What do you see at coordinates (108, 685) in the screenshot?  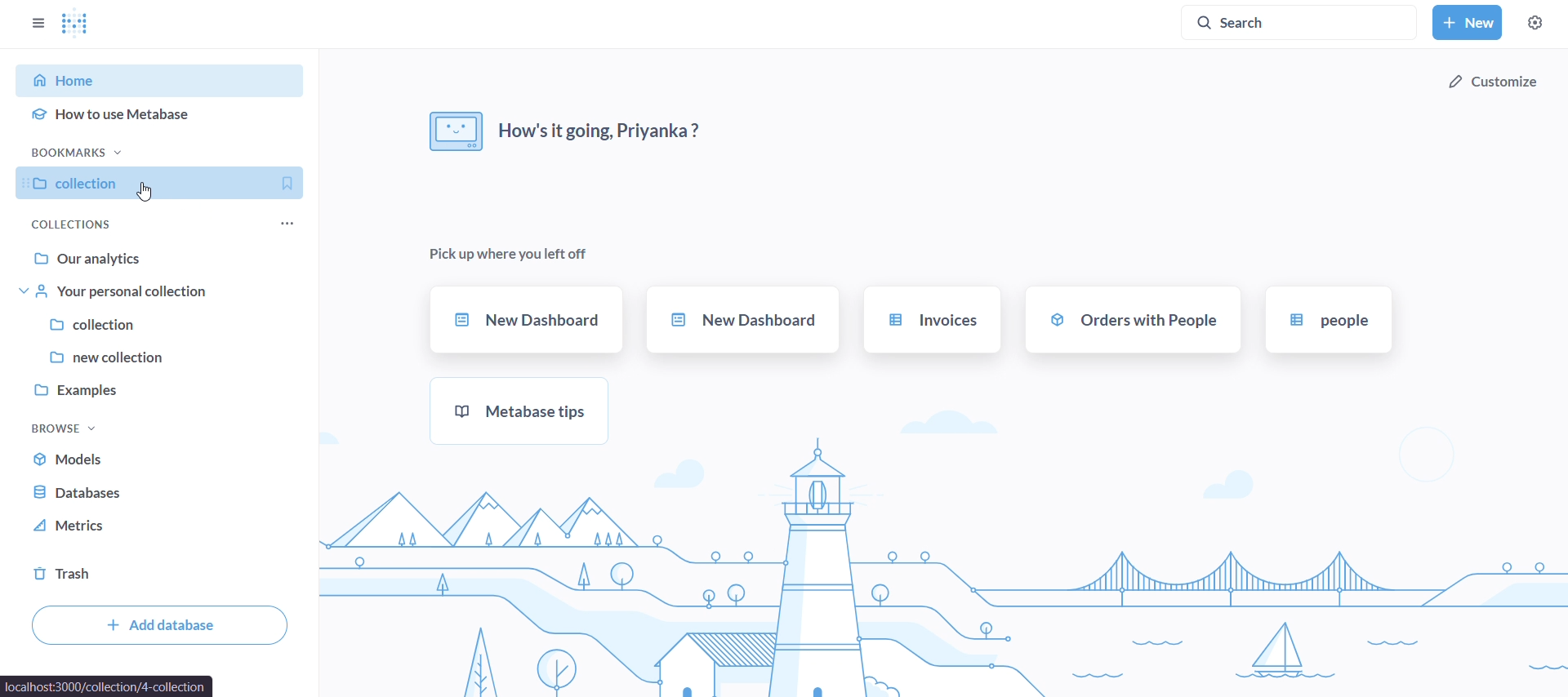 I see `url: localhost:3000/collection/4-collection` at bounding box center [108, 685].